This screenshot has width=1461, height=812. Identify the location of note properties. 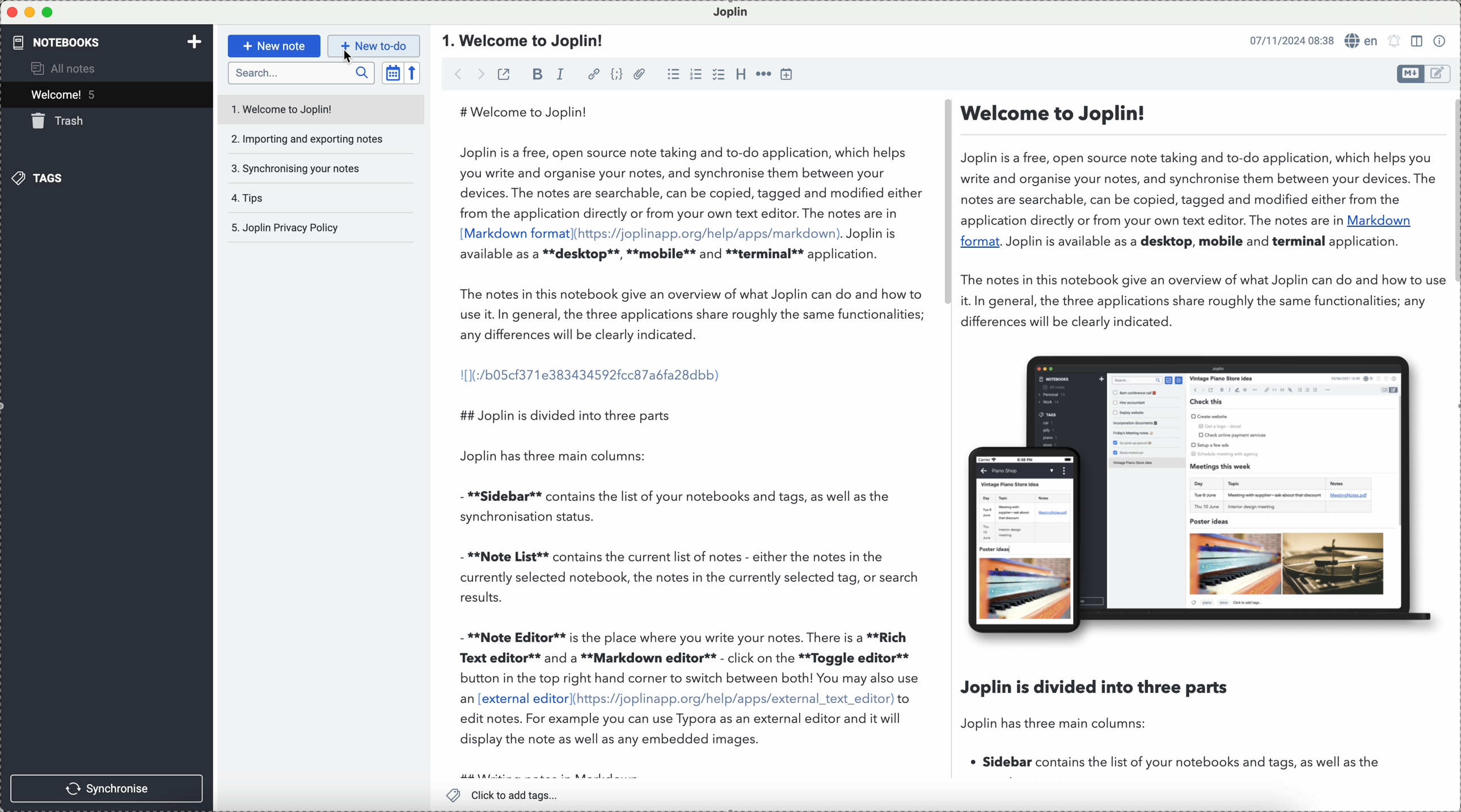
(1441, 41).